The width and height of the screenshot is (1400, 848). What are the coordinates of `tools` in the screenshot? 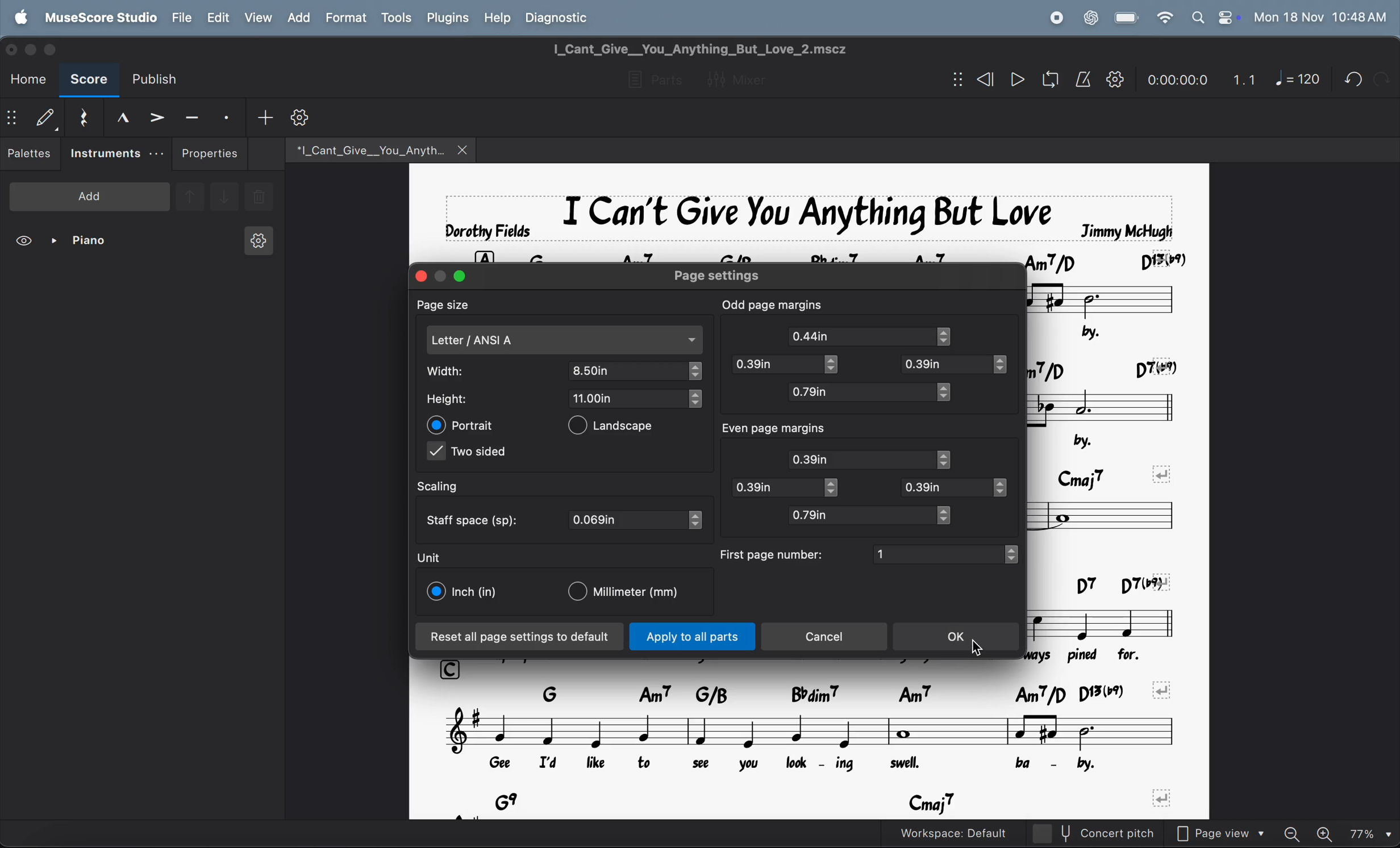 It's located at (396, 19).